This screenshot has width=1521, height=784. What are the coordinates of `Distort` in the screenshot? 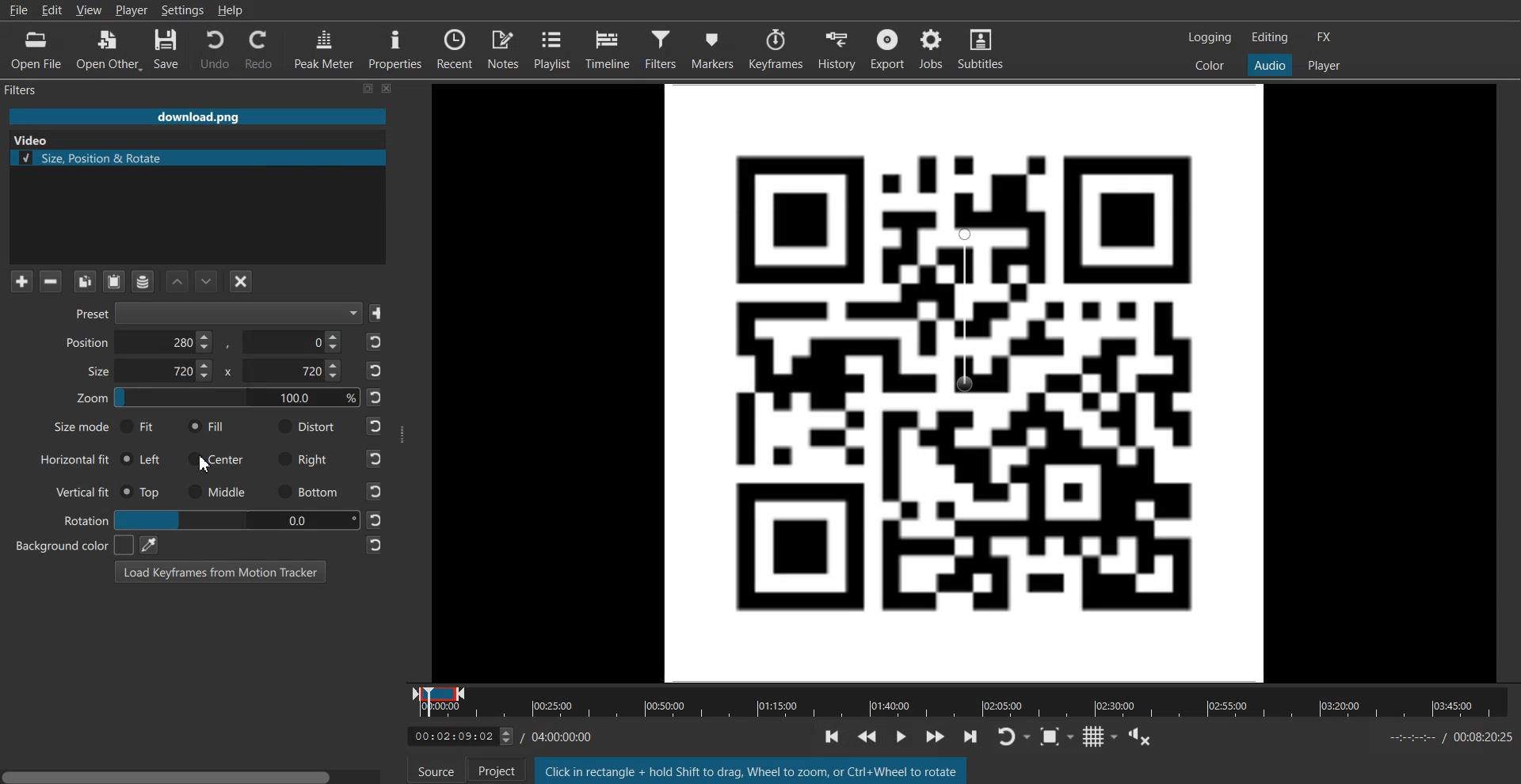 It's located at (305, 426).